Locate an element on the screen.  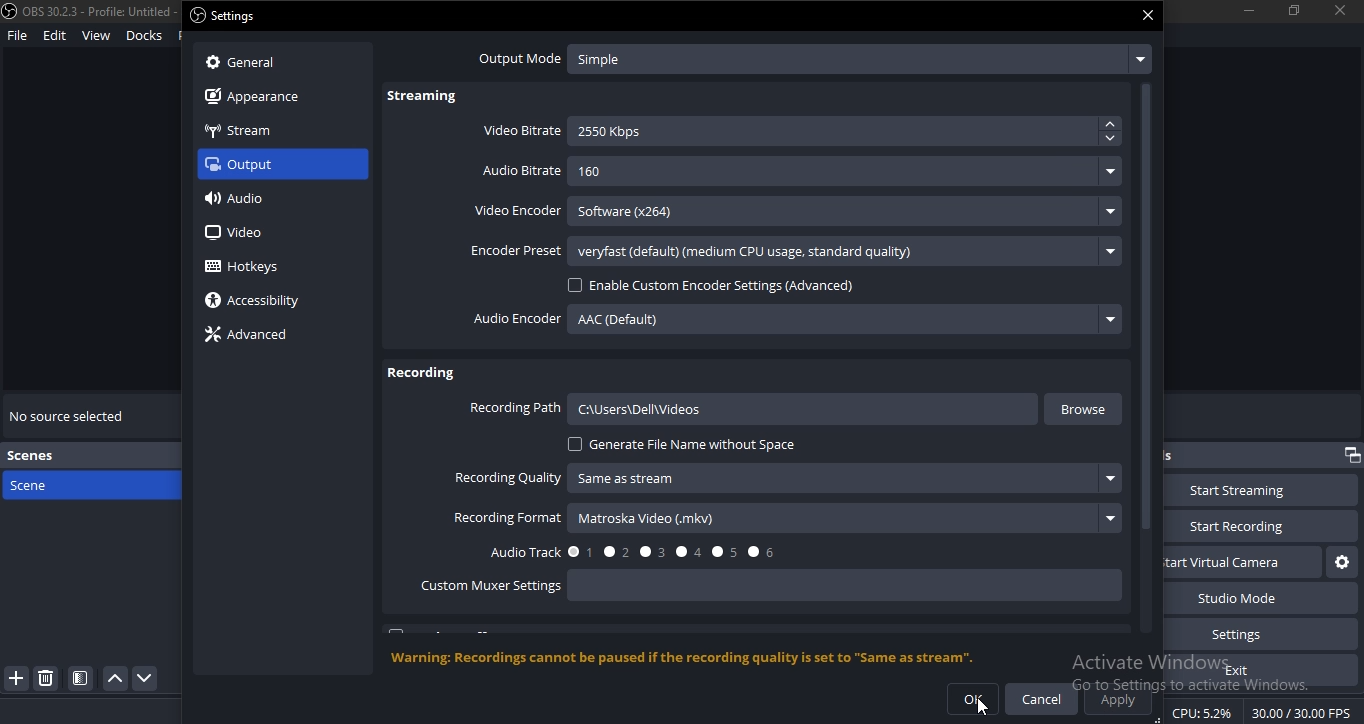
enable custom encoder settings is located at coordinates (718, 285).